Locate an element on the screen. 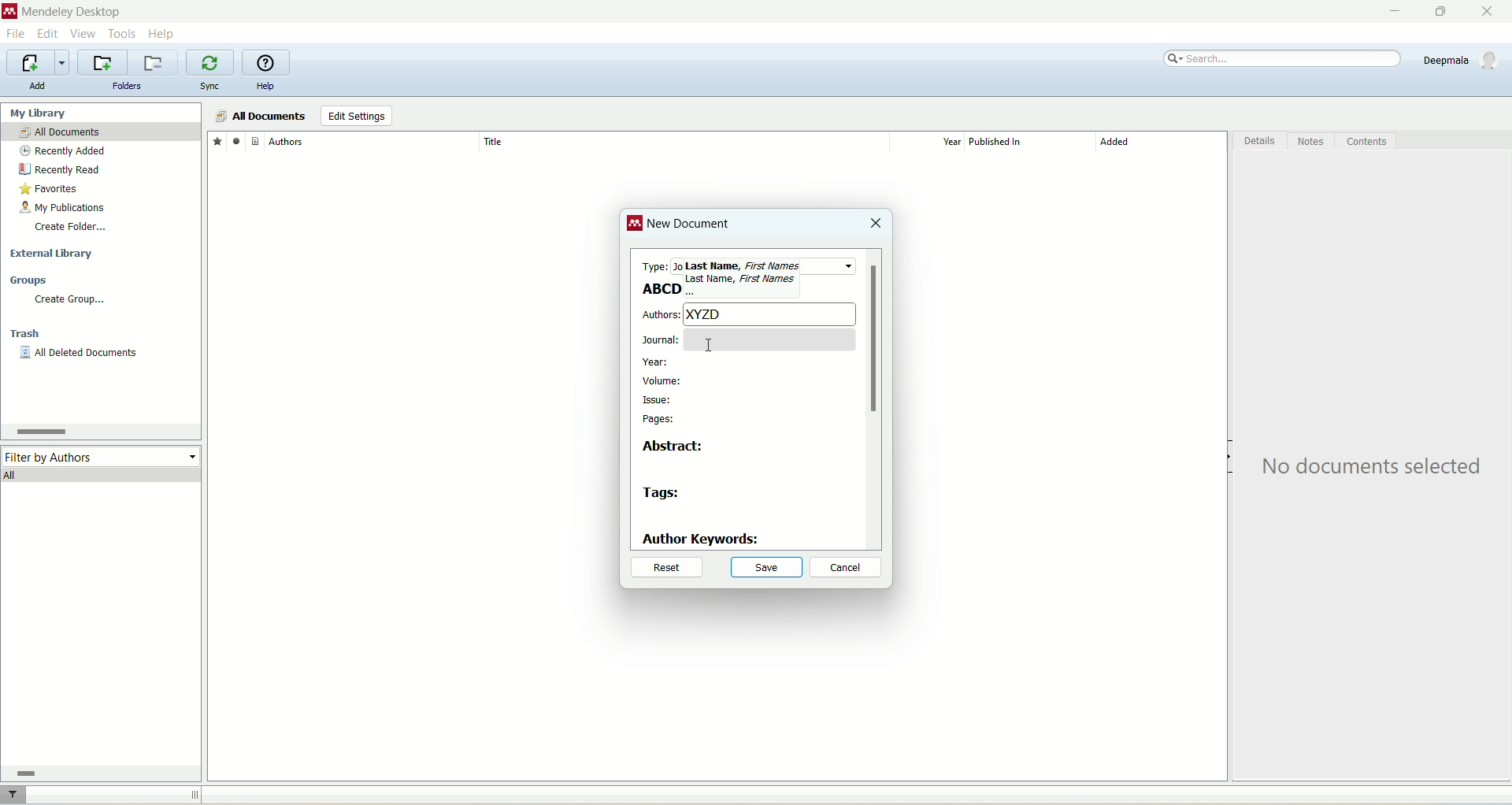  view is located at coordinates (84, 34).